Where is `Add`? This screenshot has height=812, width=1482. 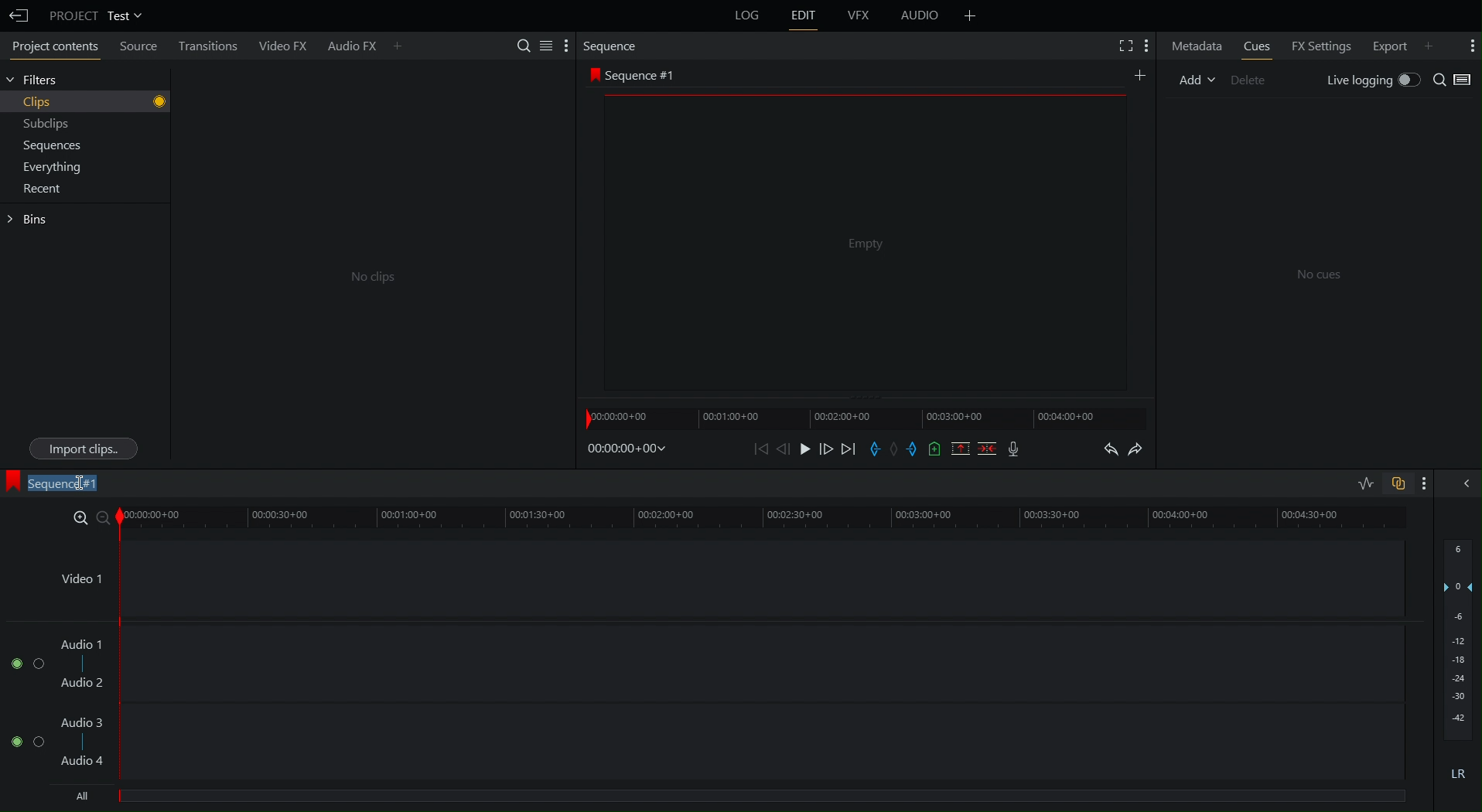 Add is located at coordinates (968, 15).